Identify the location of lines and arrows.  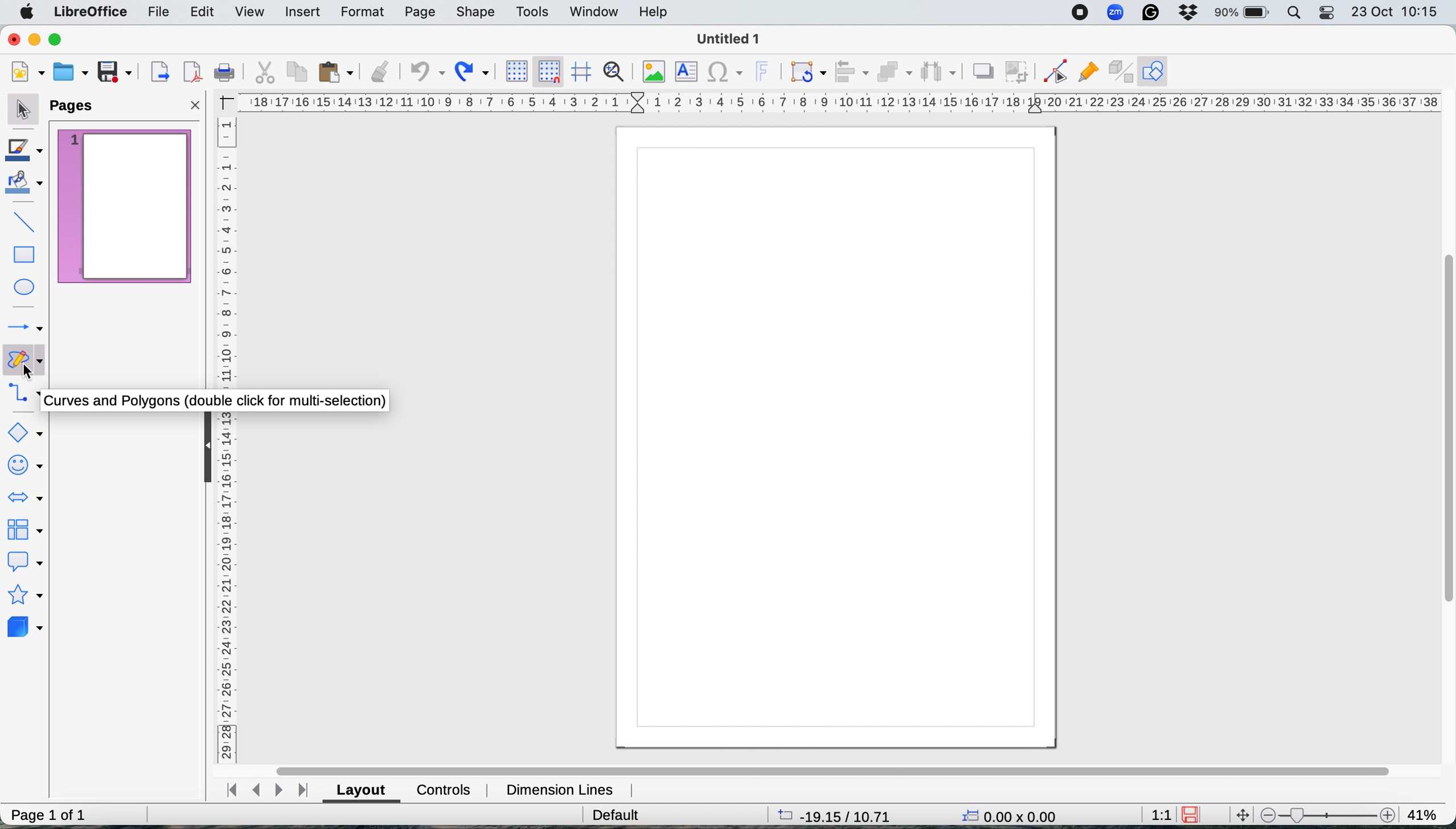
(24, 327).